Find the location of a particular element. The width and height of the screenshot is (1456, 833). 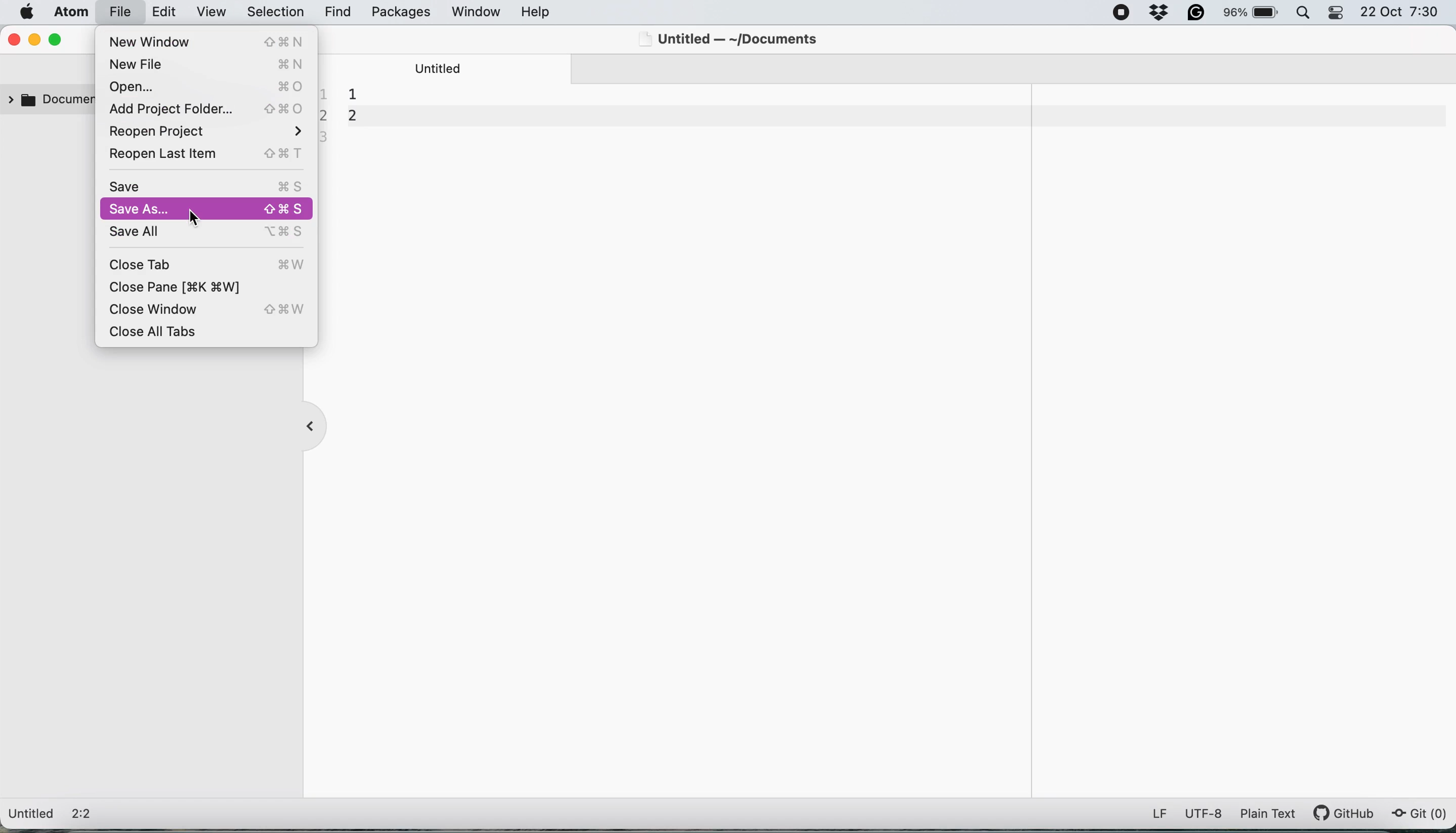

view is located at coordinates (214, 11).